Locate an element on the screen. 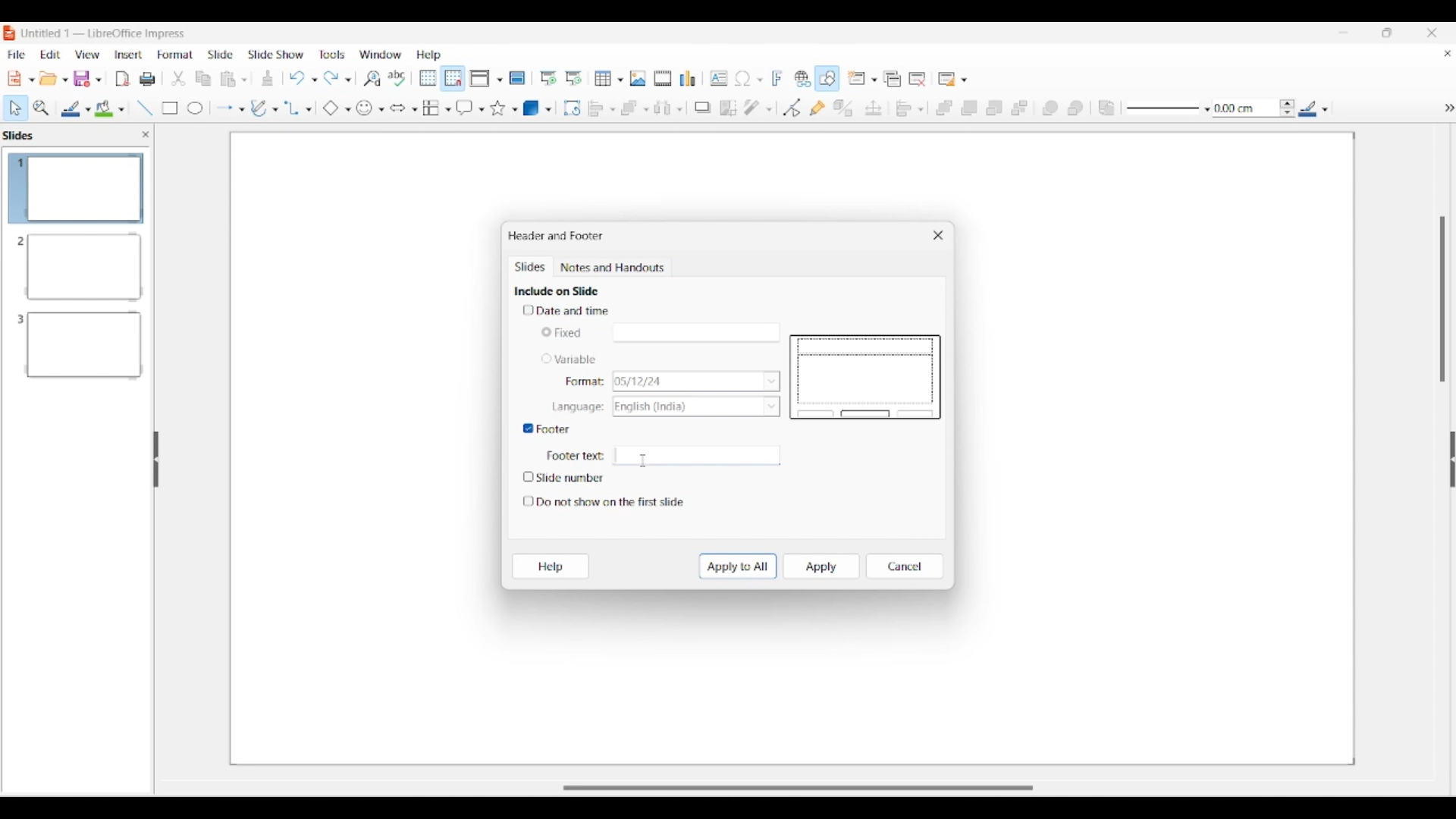 The width and height of the screenshot is (1456, 819). Insert chart is located at coordinates (687, 78).